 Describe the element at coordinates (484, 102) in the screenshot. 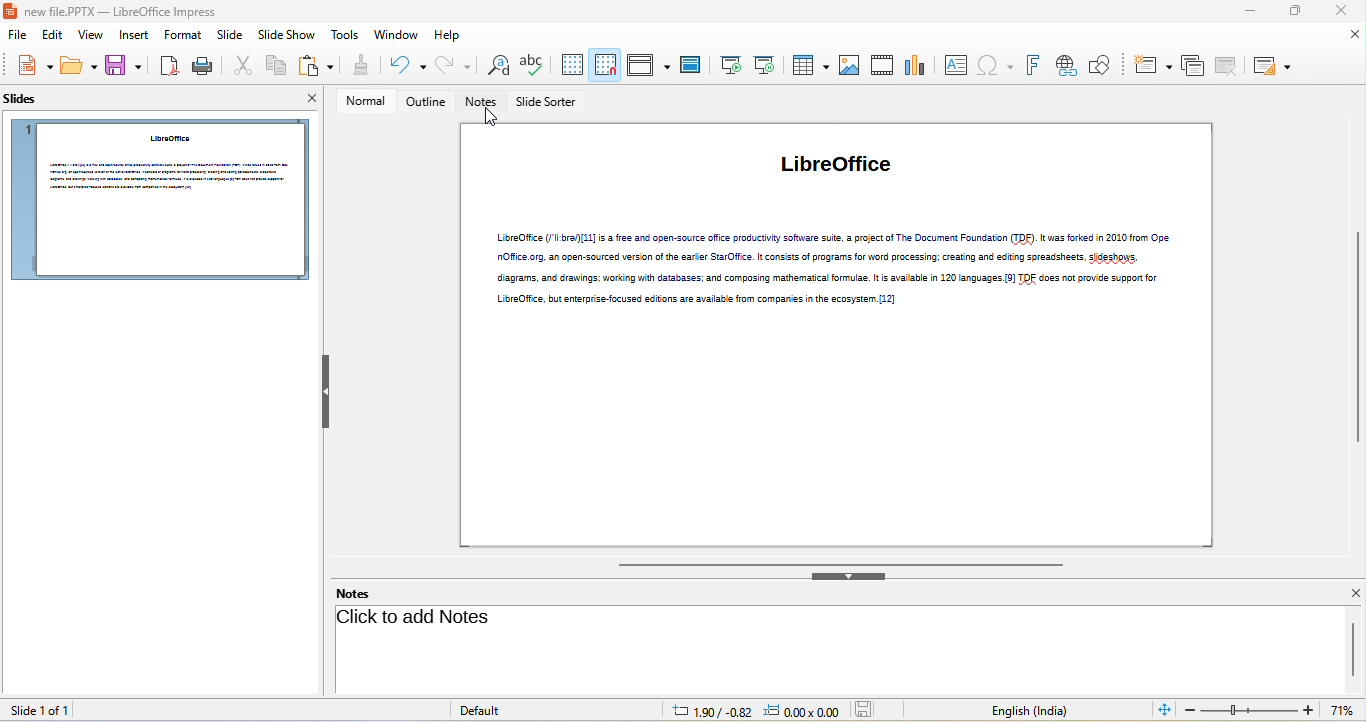

I see `notes` at that location.